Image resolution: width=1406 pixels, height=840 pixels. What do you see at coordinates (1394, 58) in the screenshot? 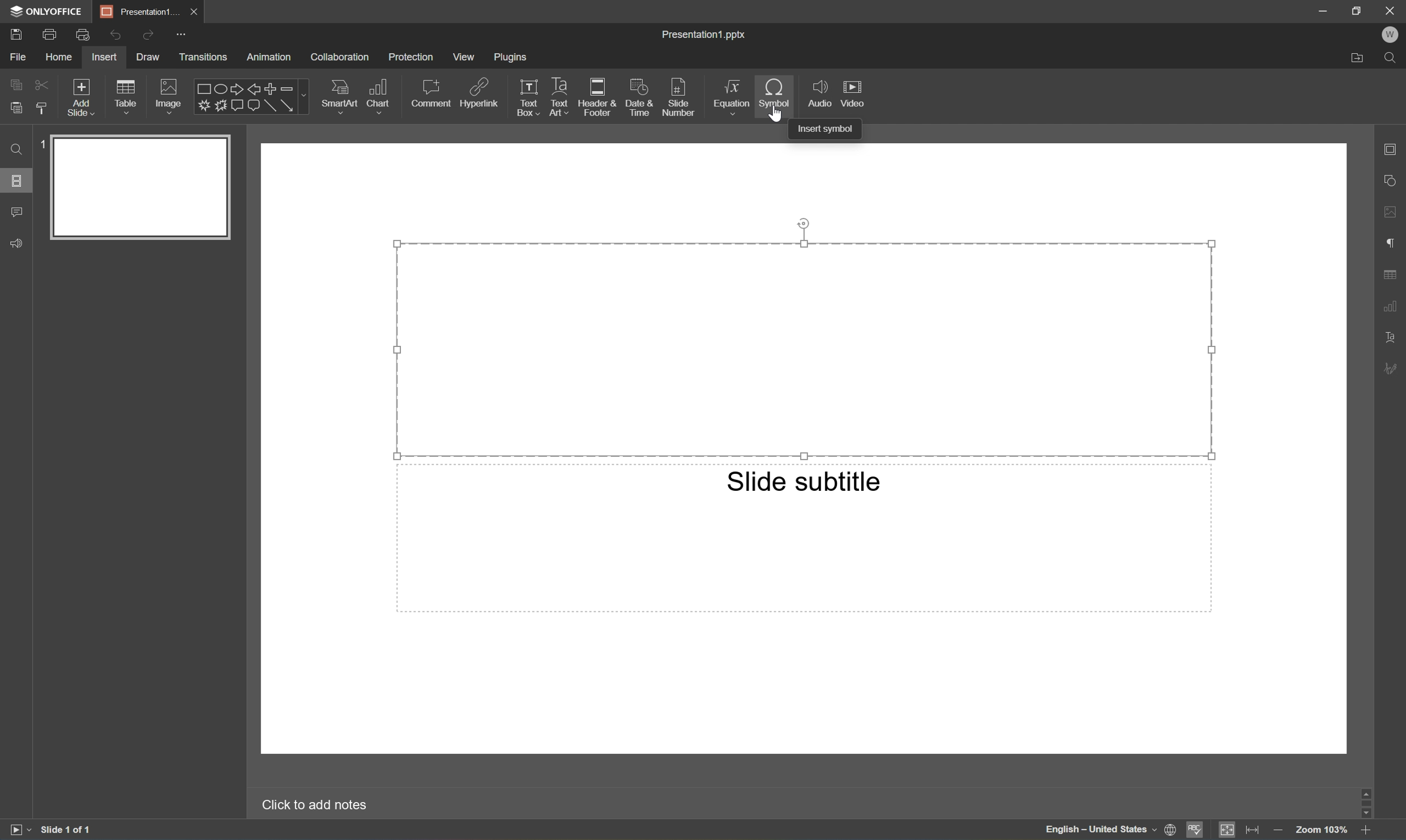
I see `Find` at bounding box center [1394, 58].